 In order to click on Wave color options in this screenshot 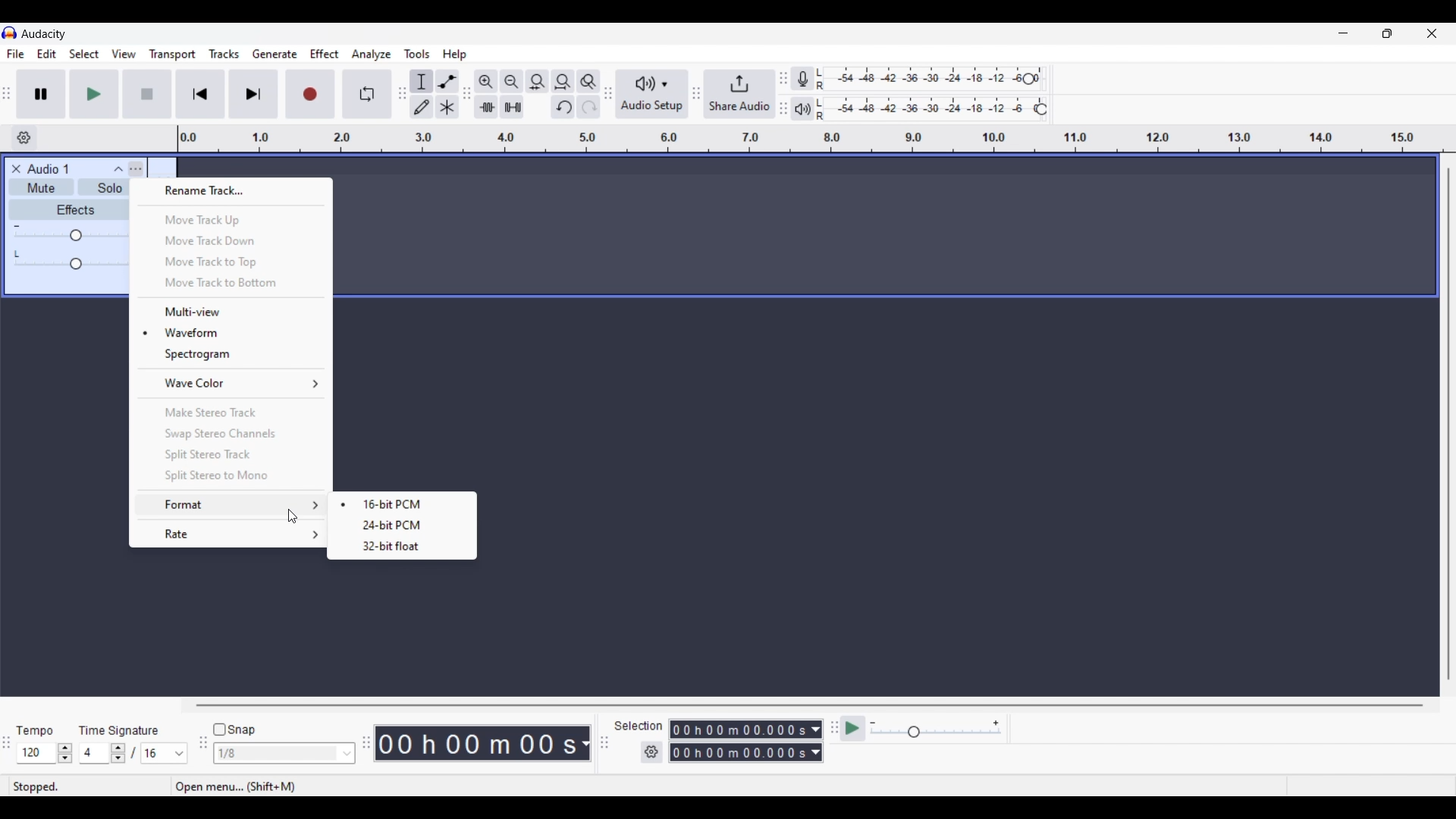, I will do `click(233, 383)`.